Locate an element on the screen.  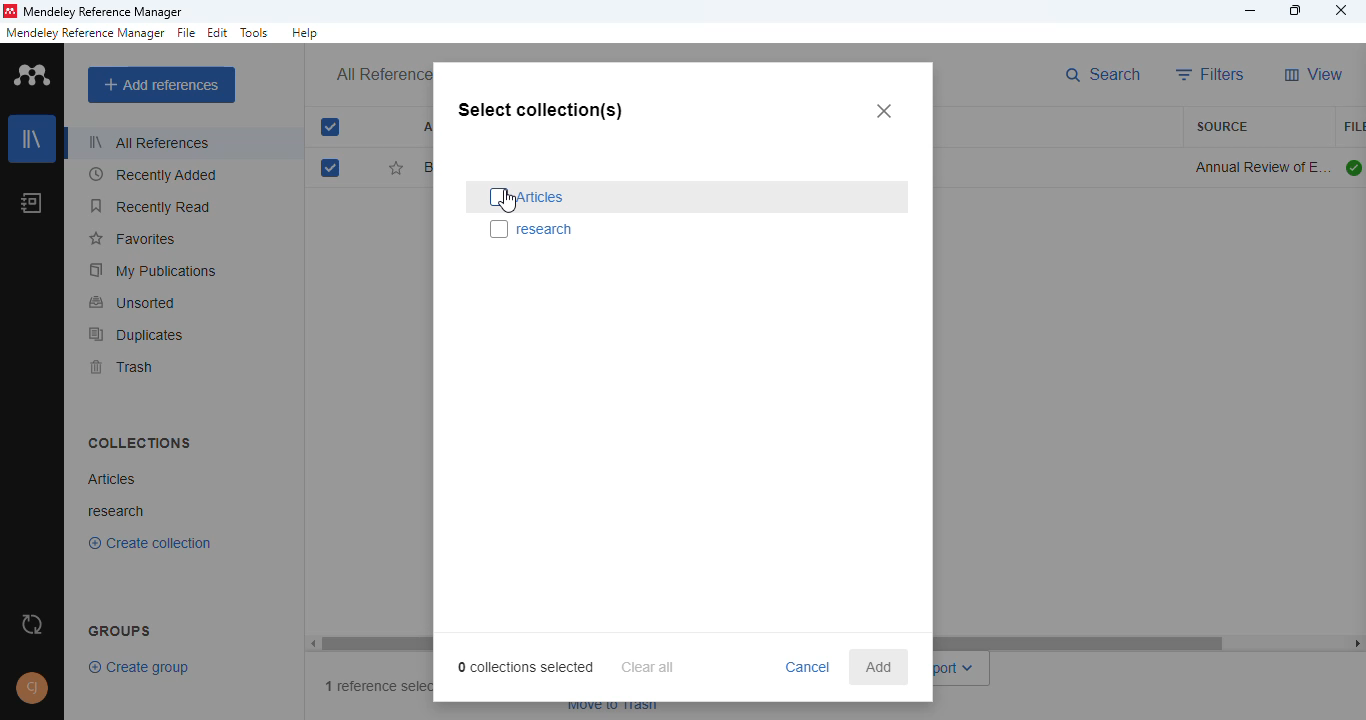
logo is located at coordinates (9, 11).